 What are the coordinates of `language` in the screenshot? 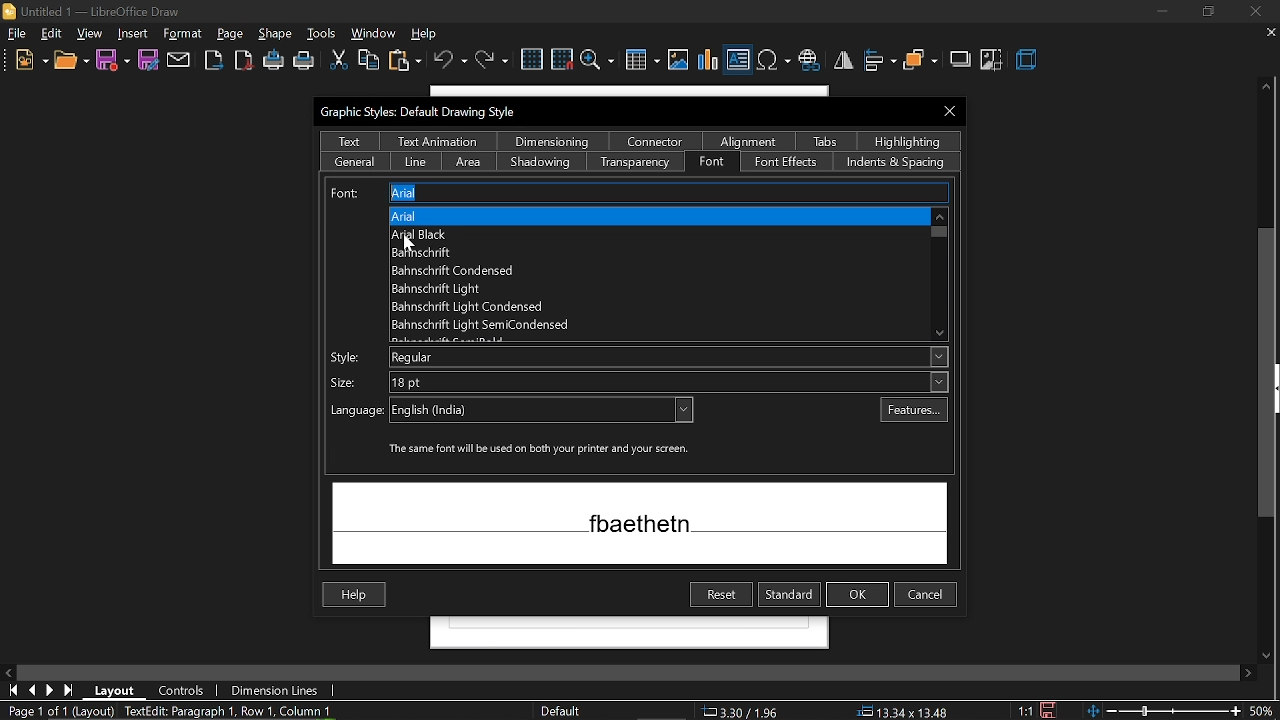 It's located at (351, 410).